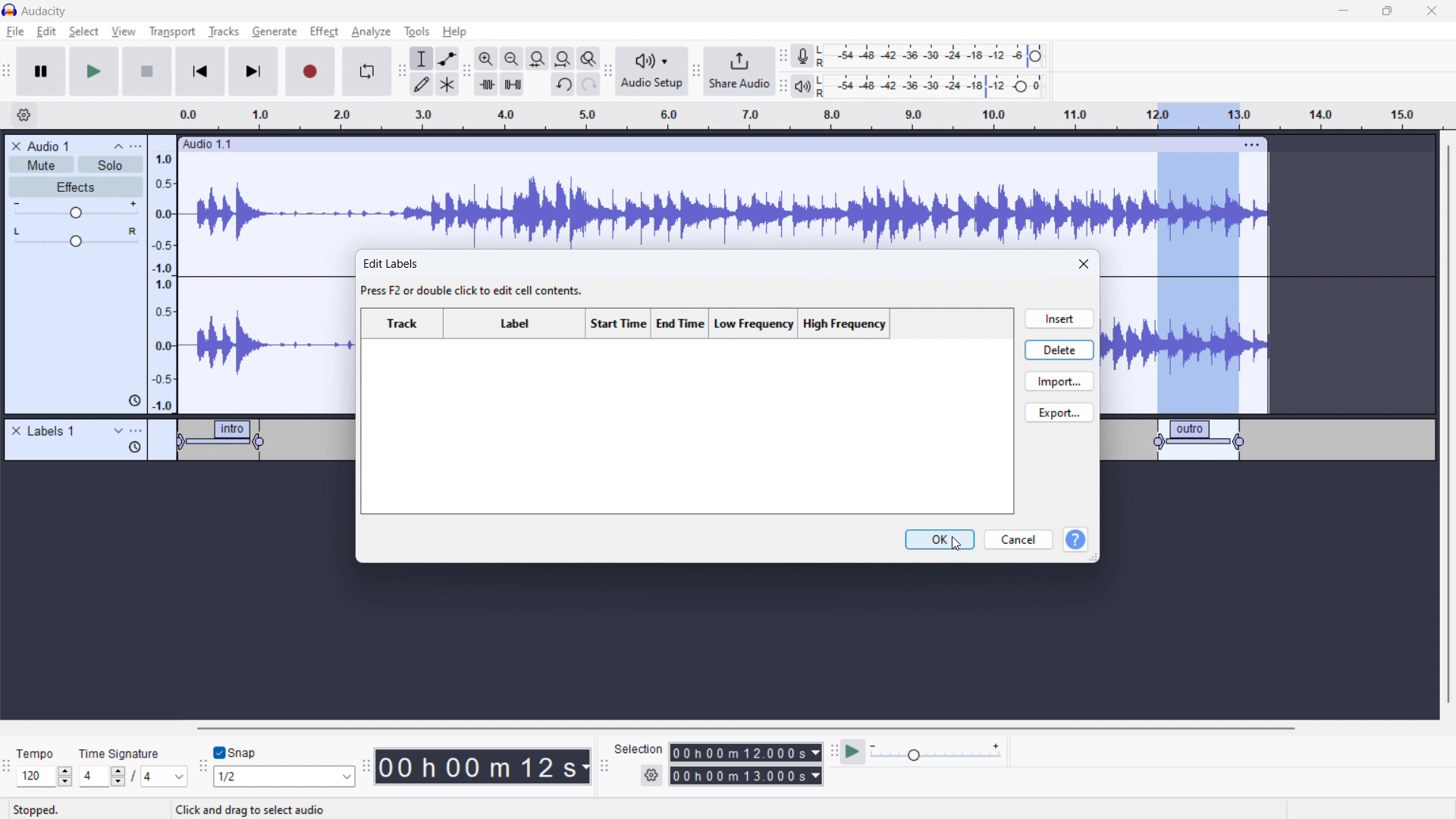 The height and width of the screenshot is (819, 1456). What do you see at coordinates (45, 808) in the screenshot?
I see `stopped.` at bounding box center [45, 808].